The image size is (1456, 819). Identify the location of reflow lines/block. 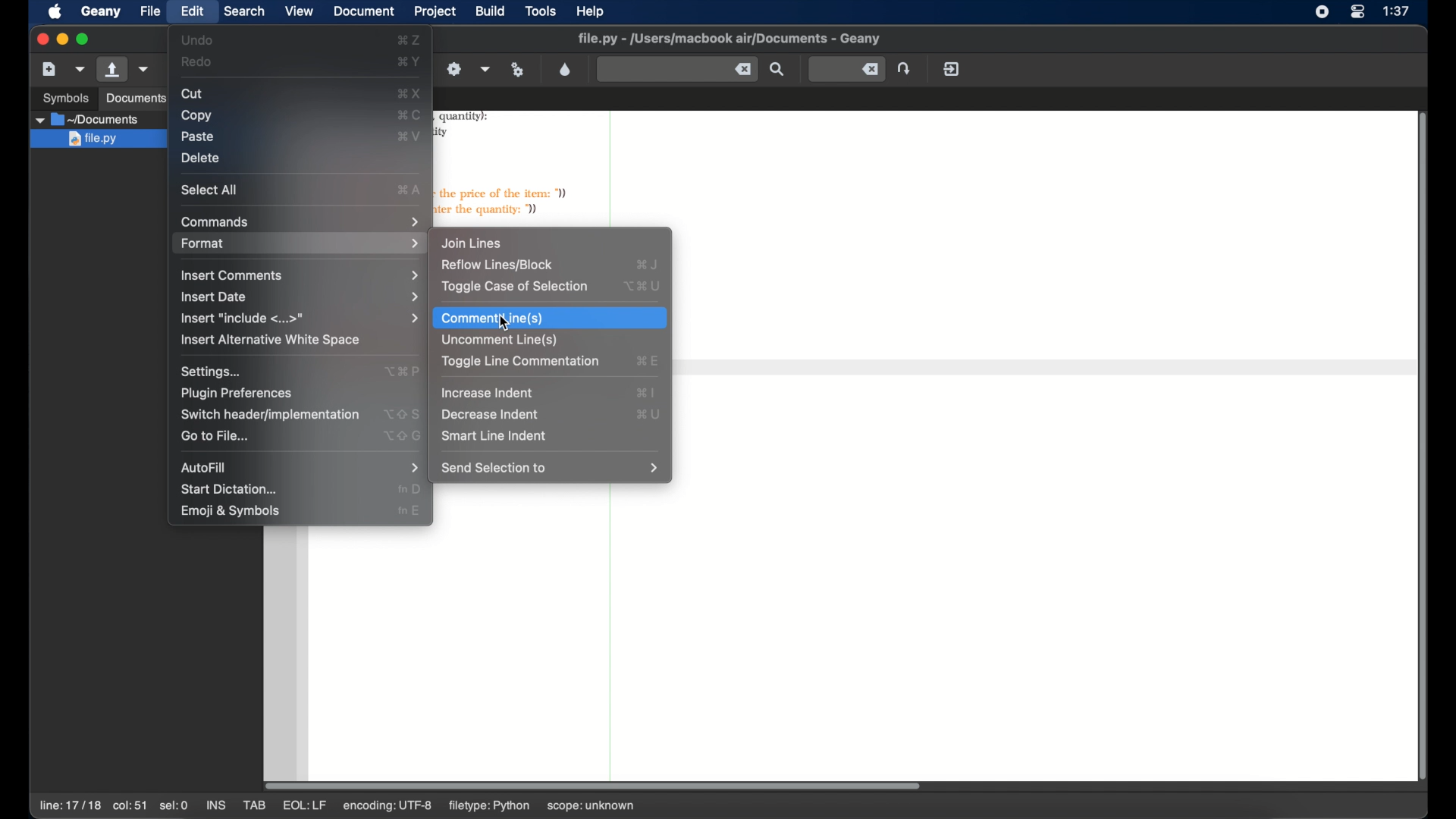
(499, 265).